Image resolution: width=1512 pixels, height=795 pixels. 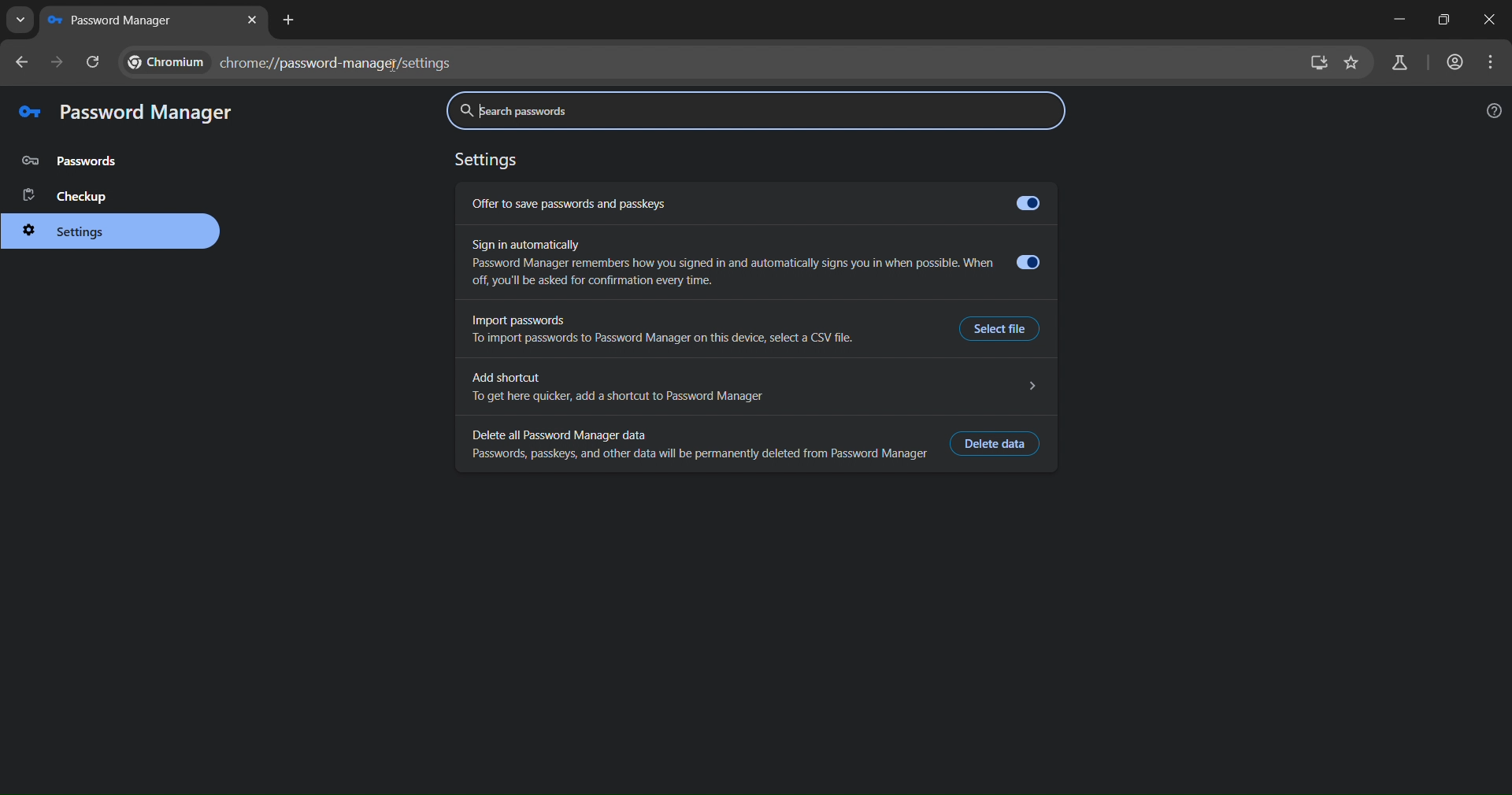 I want to click on passwords manager, so click(x=116, y=21).